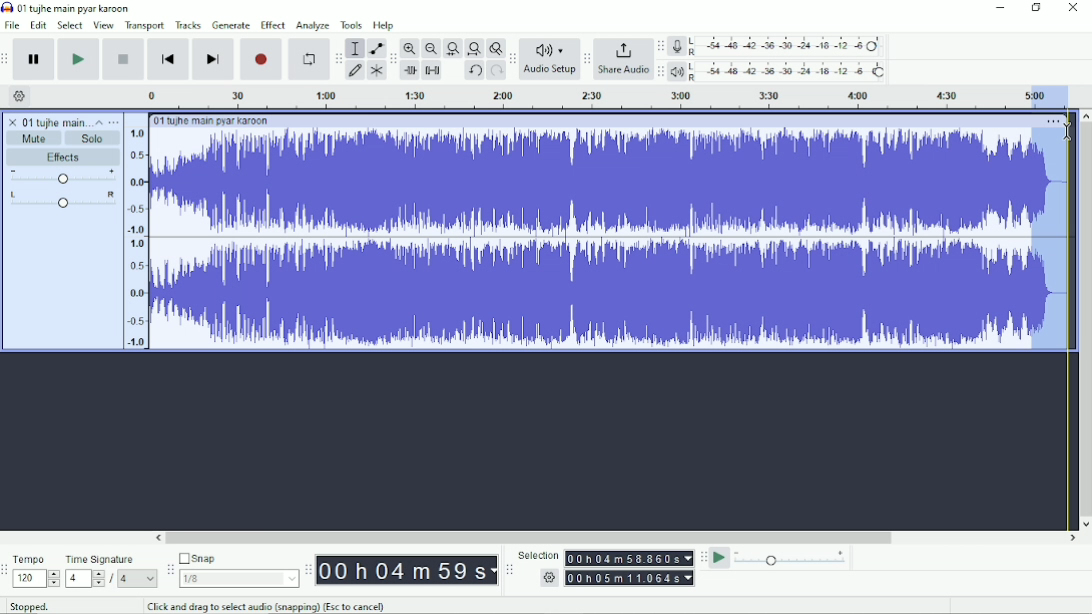 This screenshot has height=614, width=1092. I want to click on Selection tool, so click(355, 48).